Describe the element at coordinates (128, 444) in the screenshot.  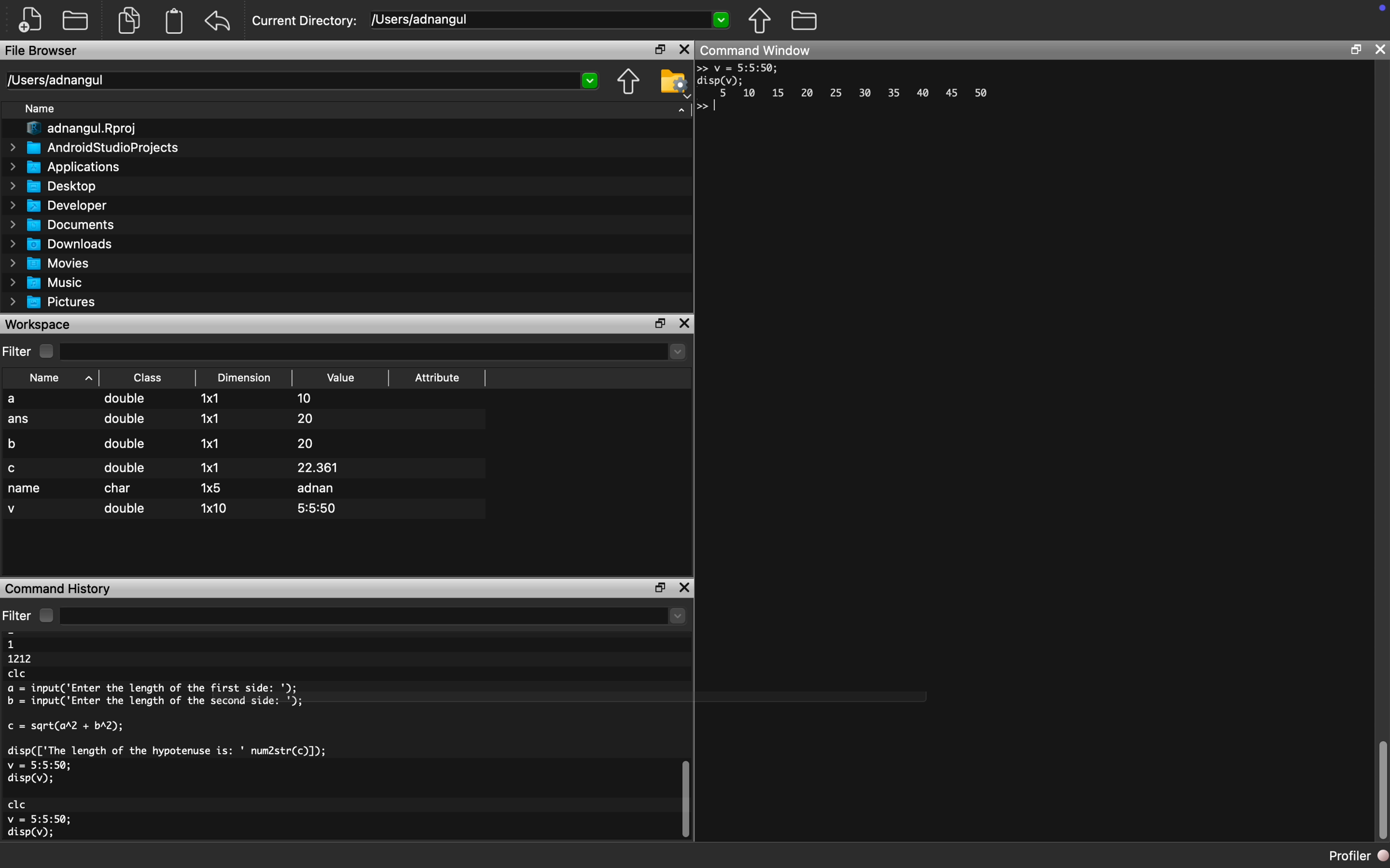
I see `double` at that location.